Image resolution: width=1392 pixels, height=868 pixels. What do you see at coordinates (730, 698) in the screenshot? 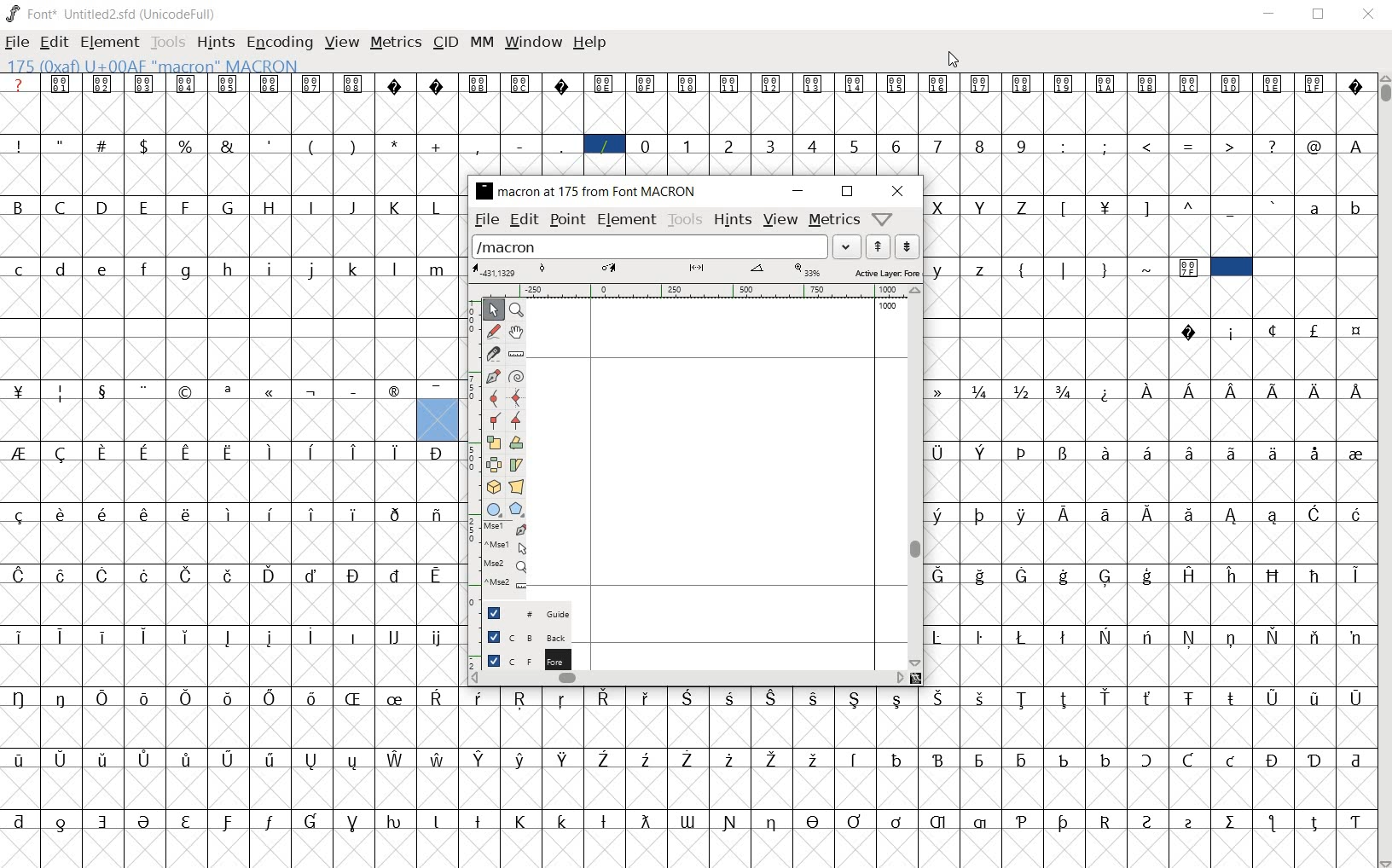
I see `Symbol` at bounding box center [730, 698].